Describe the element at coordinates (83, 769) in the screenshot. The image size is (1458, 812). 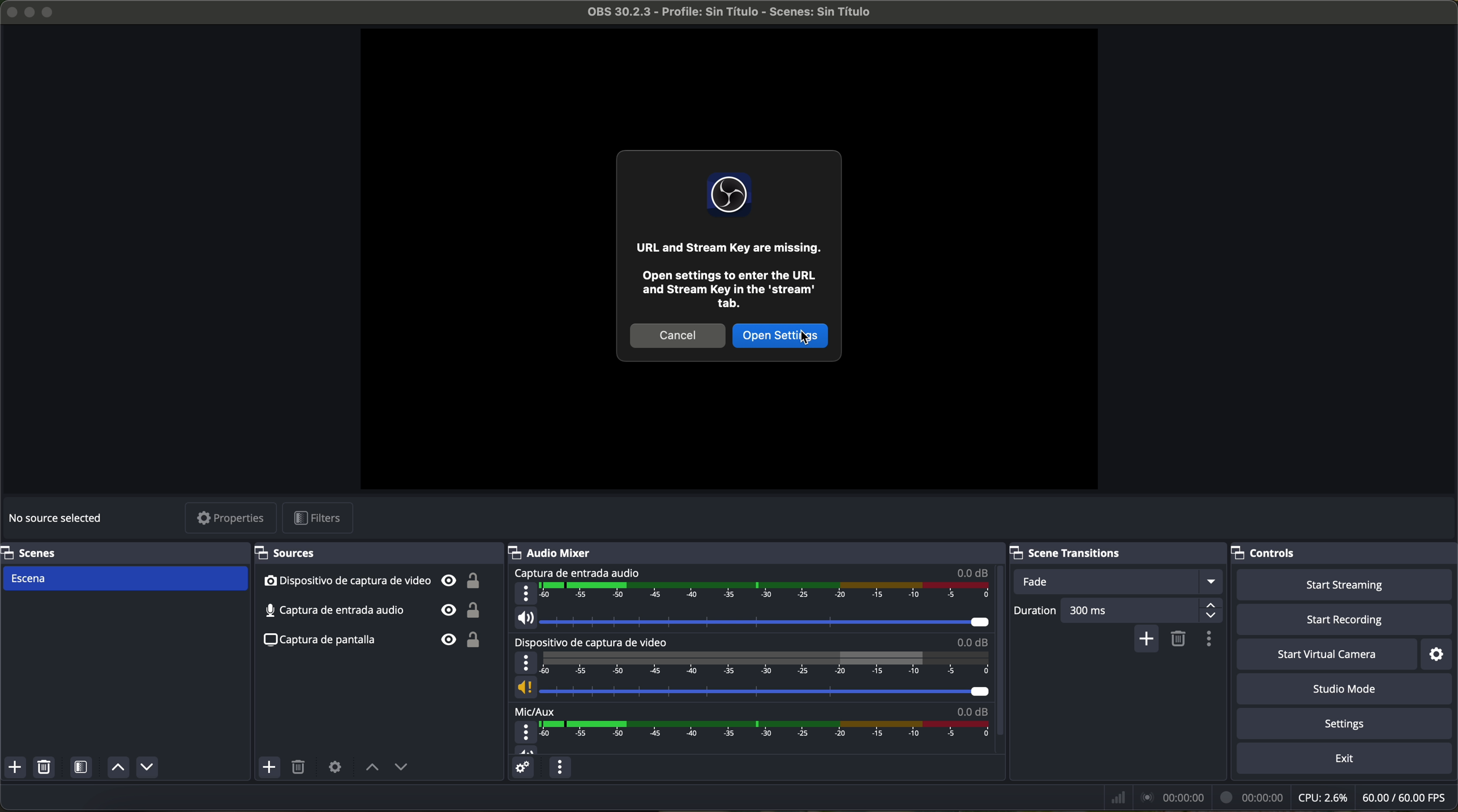
I see `open scene filters` at that location.